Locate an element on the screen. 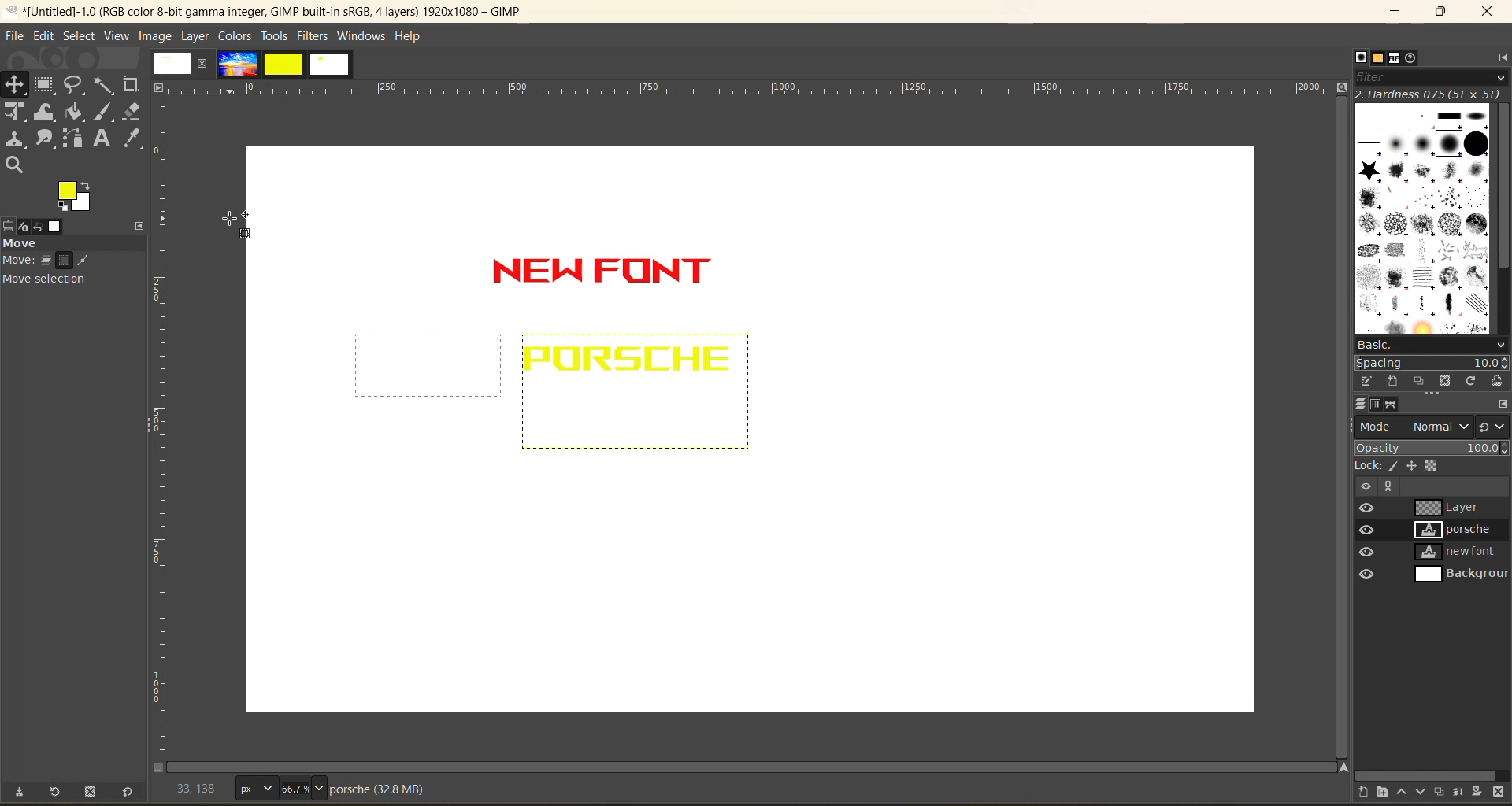 The height and width of the screenshot is (806, 1512). create a duplicate is located at coordinates (1440, 791).